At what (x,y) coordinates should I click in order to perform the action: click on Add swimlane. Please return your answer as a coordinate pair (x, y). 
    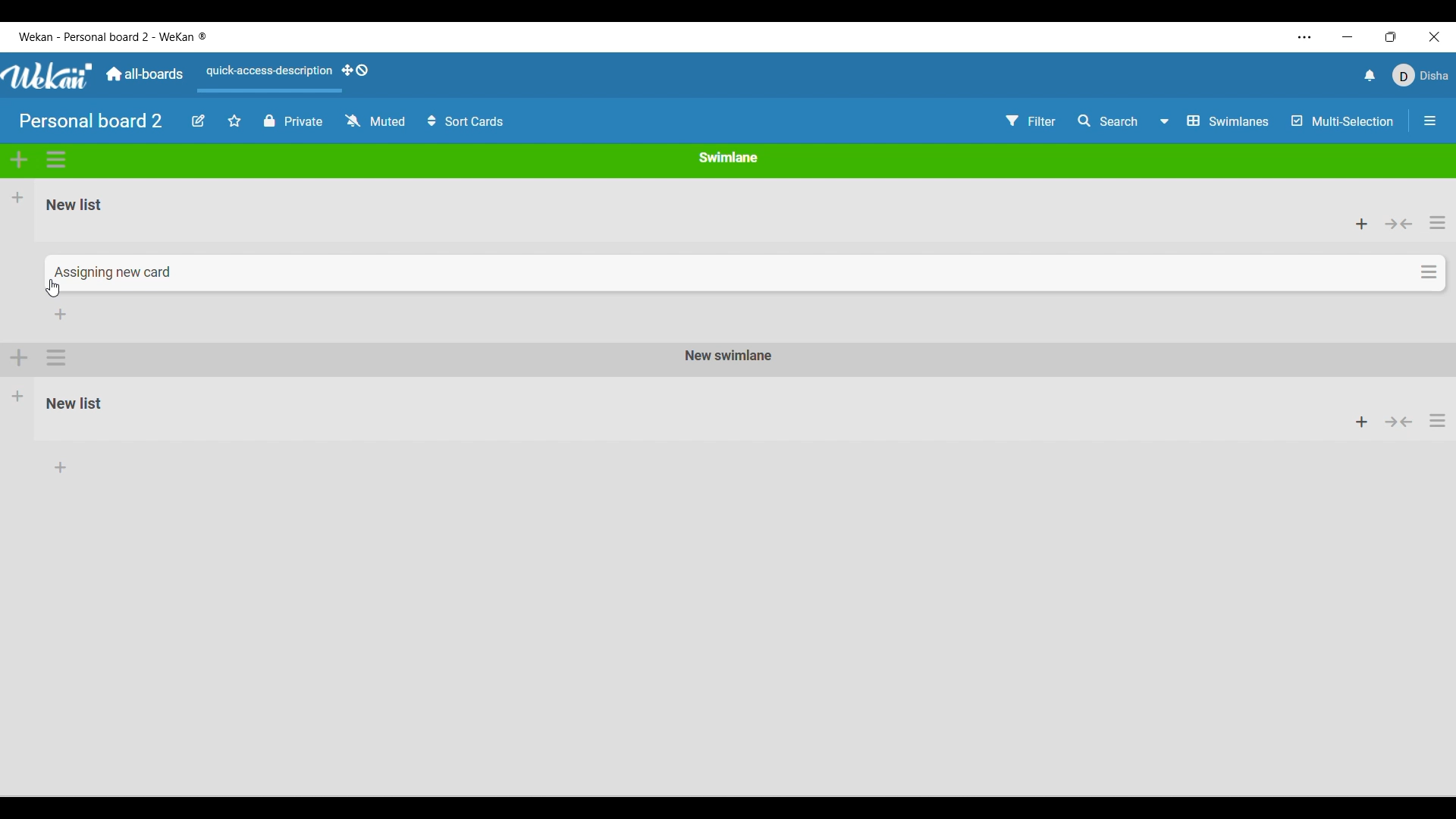
    Looking at the image, I should click on (20, 159).